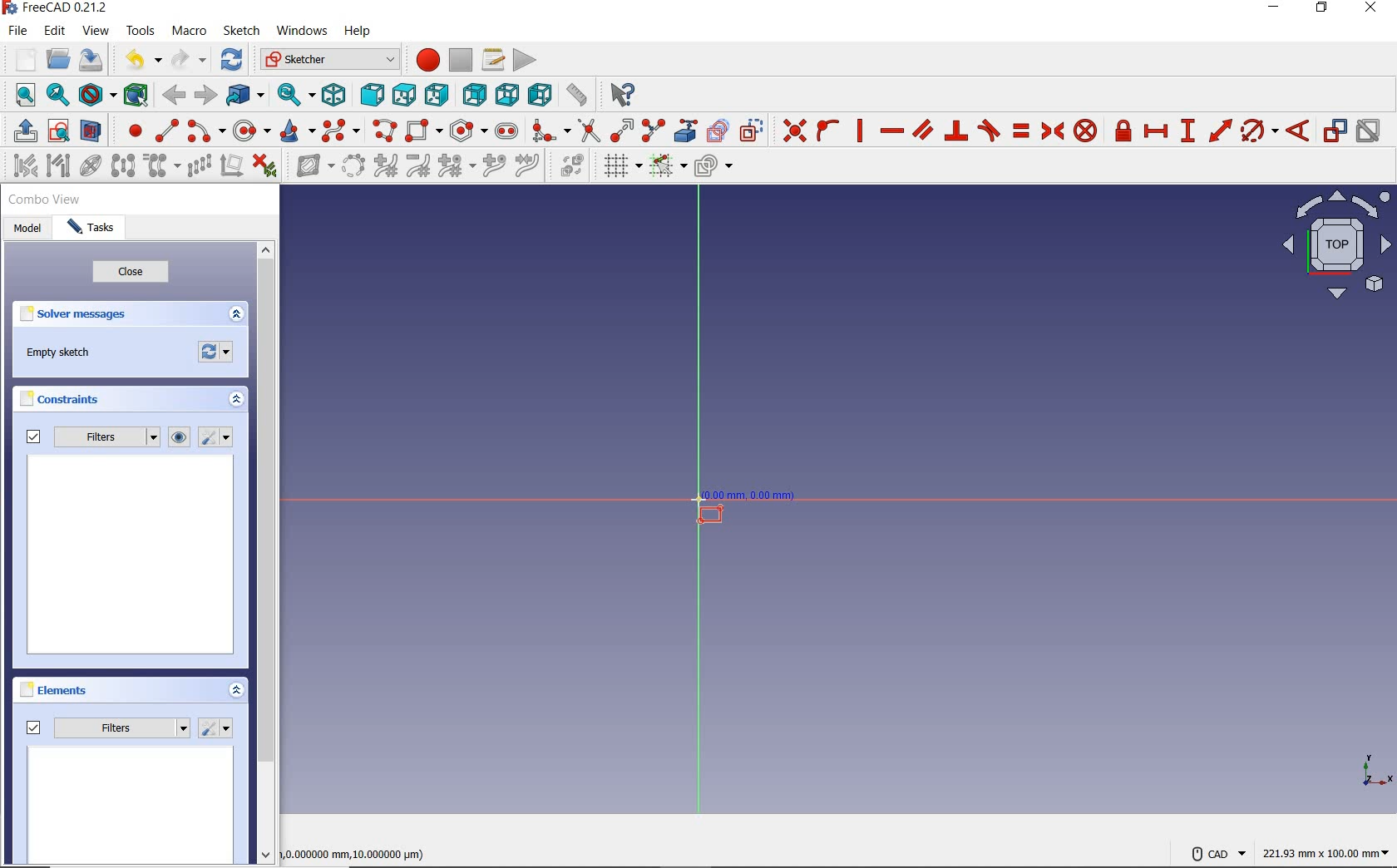 The image size is (1397, 868). What do you see at coordinates (1158, 131) in the screenshot?
I see `constrain horizontal ditance` at bounding box center [1158, 131].